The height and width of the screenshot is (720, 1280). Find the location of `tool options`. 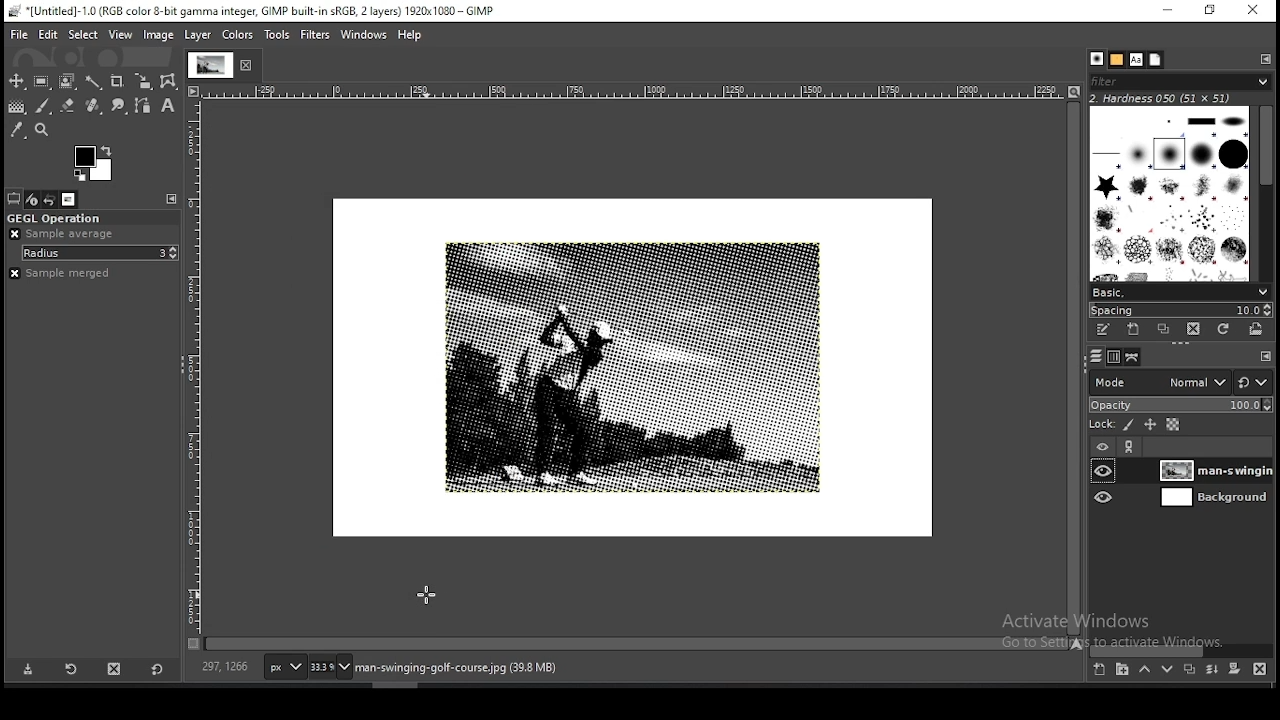

tool options is located at coordinates (14, 198).